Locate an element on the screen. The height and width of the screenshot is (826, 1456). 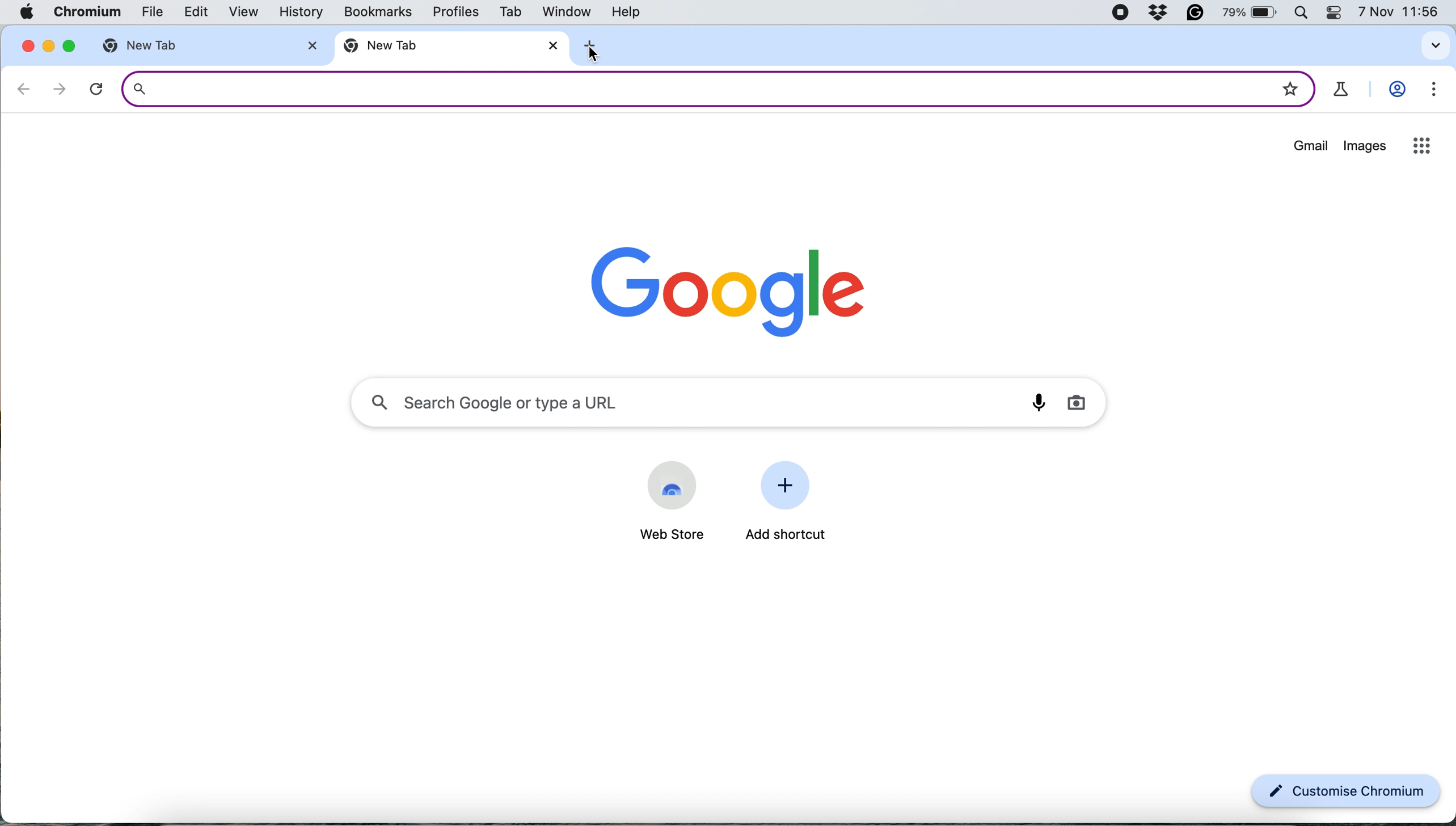
window is located at coordinates (565, 12).